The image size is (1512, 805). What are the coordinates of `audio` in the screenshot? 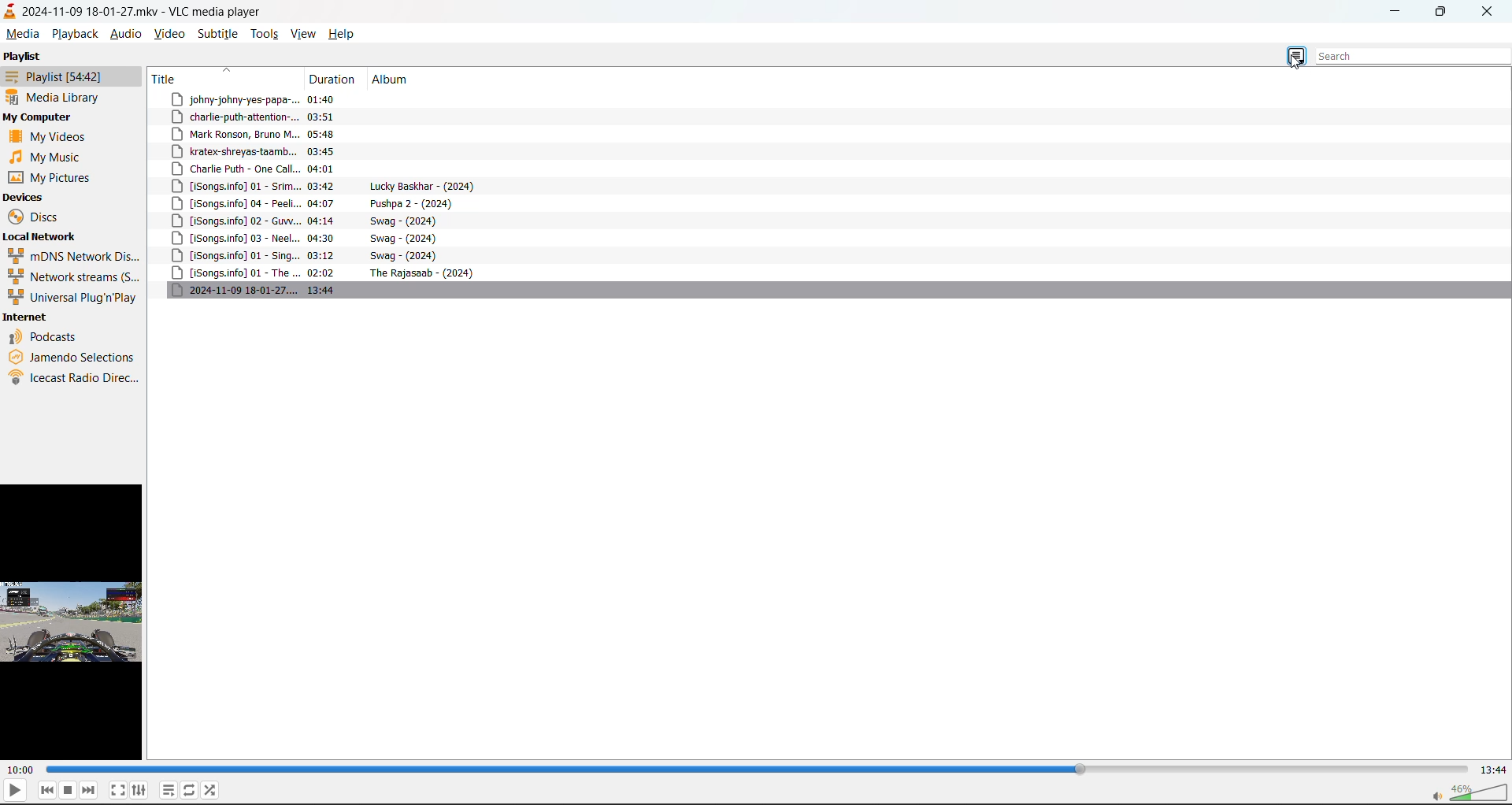 It's located at (125, 33).